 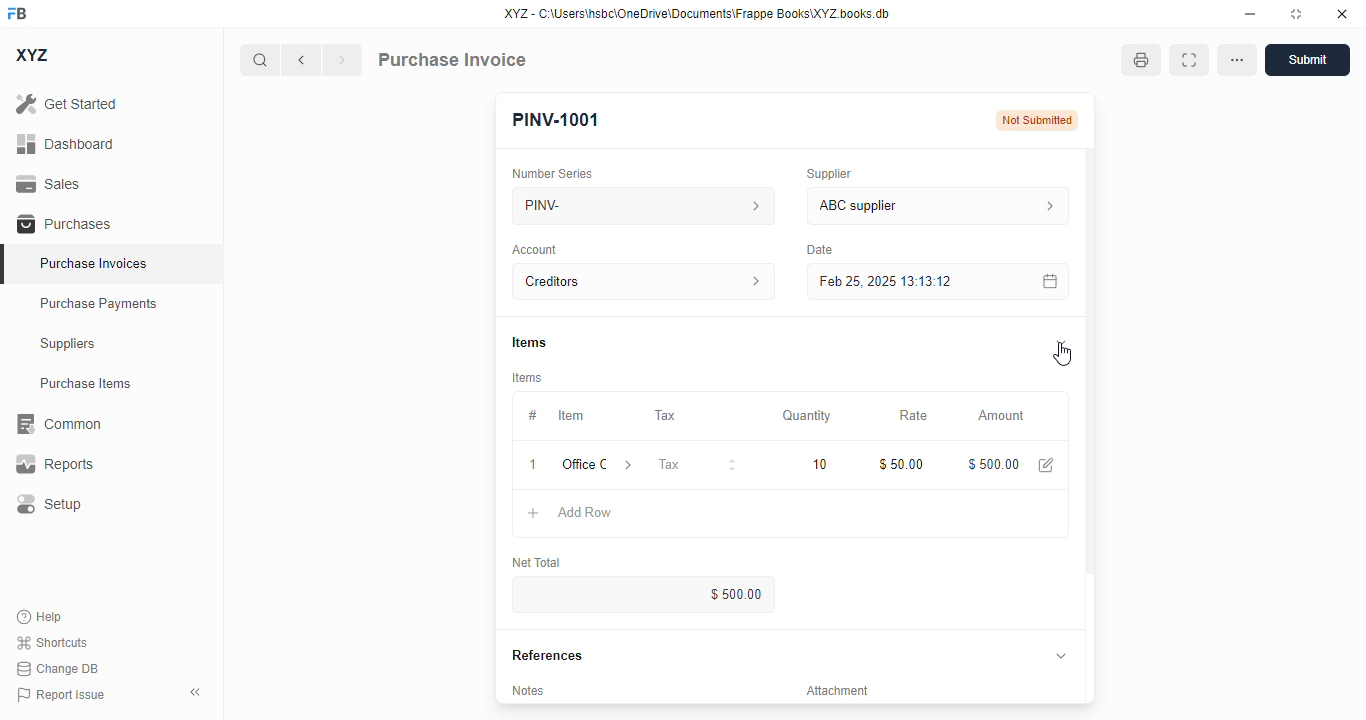 What do you see at coordinates (807, 416) in the screenshot?
I see `quantity` at bounding box center [807, 416].